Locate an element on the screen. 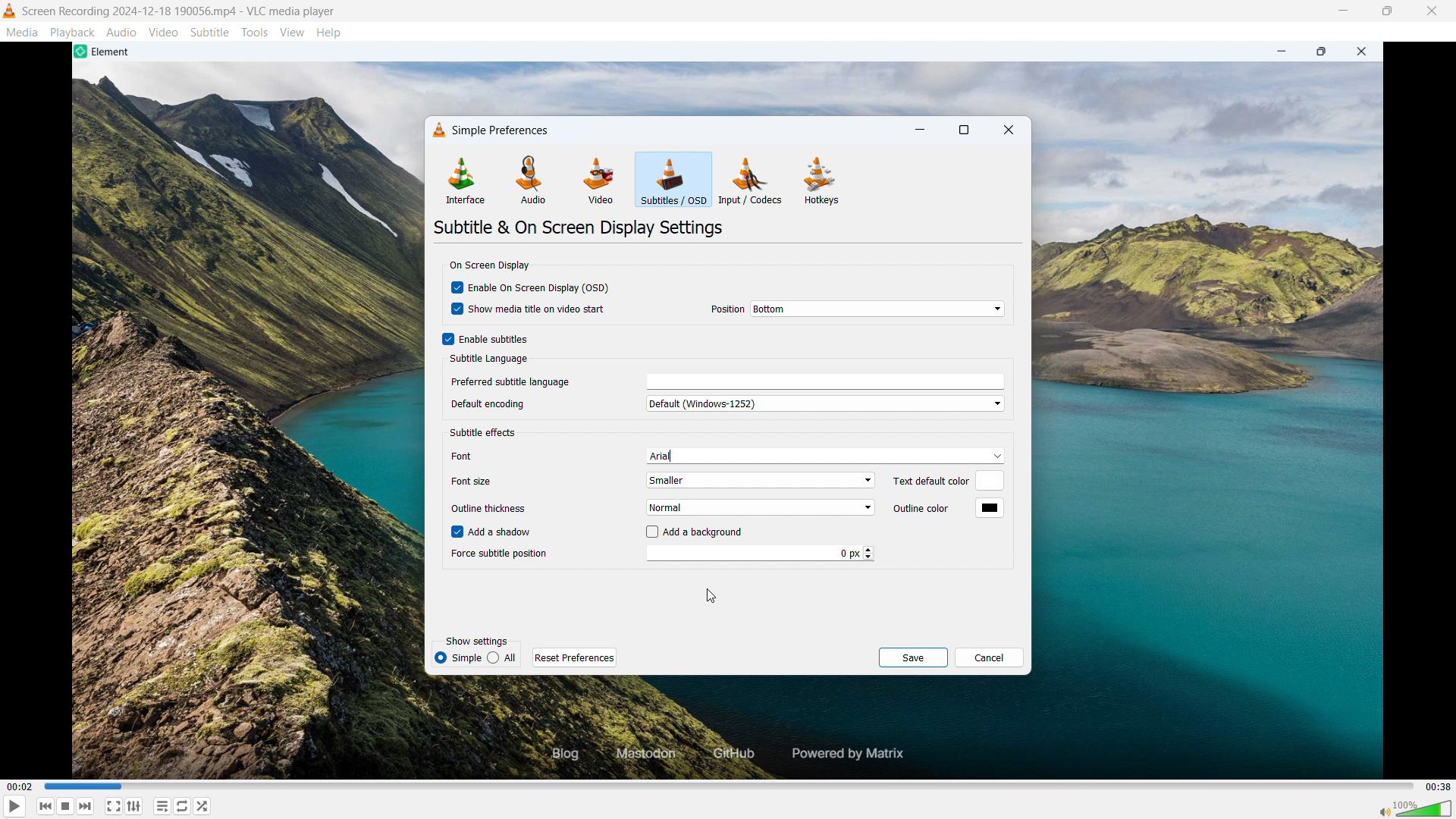 Image resolution: width=1456 pixels, height=819 pixels. Video playback is located at coordinates (739, 732).